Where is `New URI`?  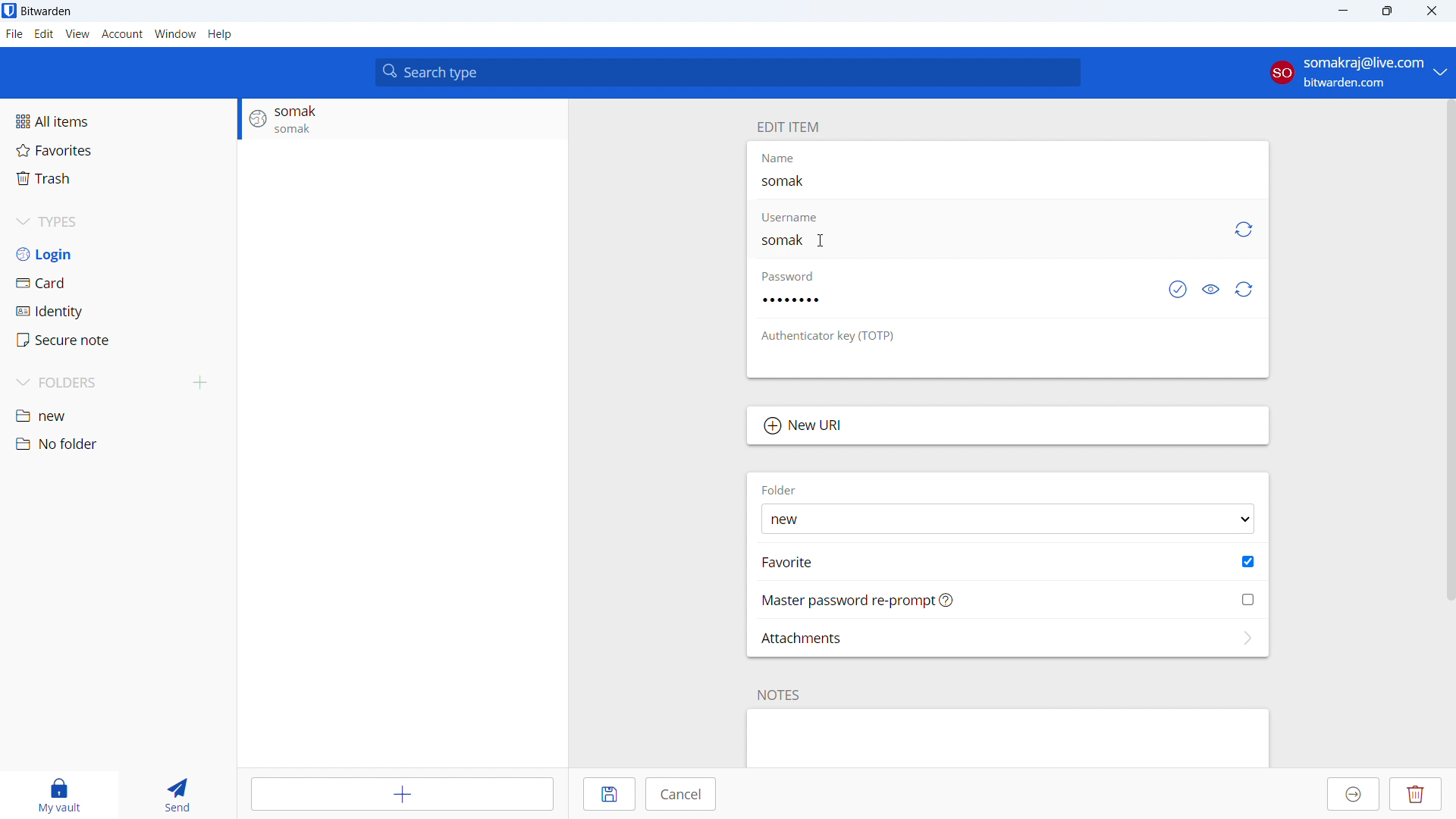 New URI is located at coordinates (1008, 426).